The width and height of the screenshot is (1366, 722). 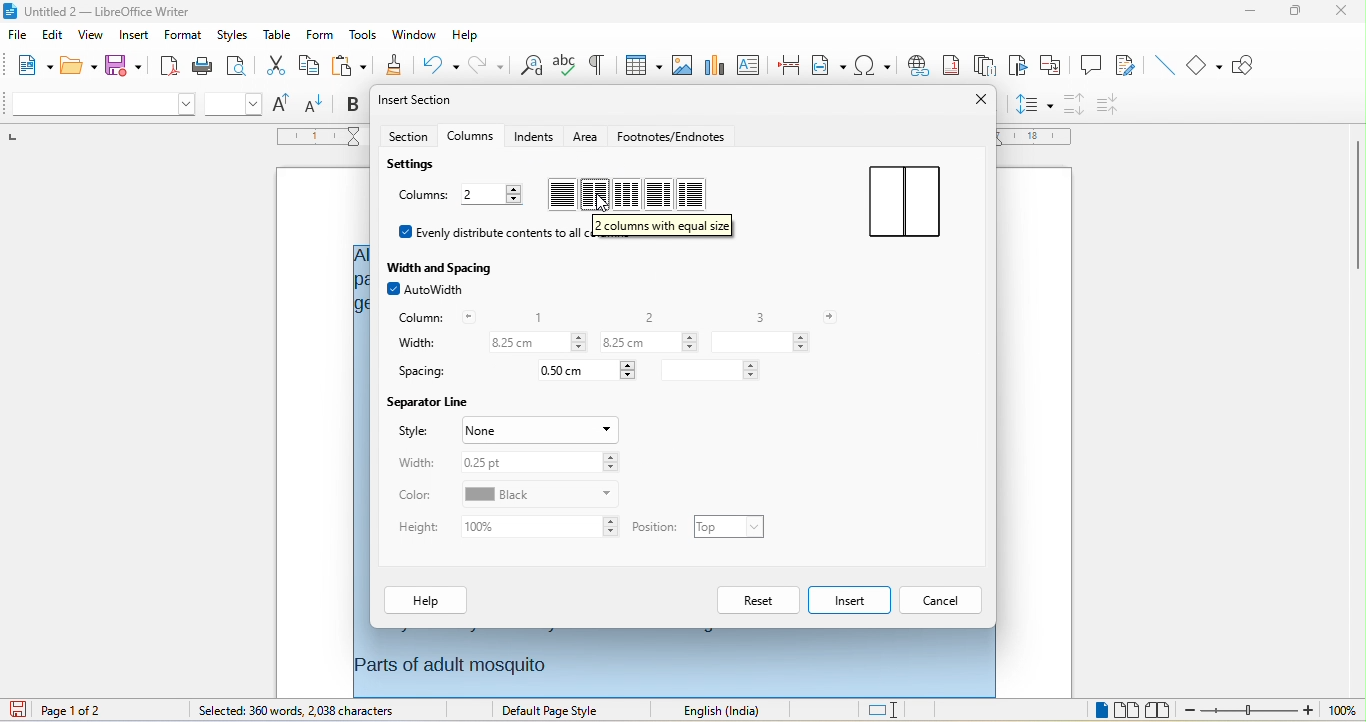 I want to click on 2 column with equal size in a page, so click(x=899, y=204).